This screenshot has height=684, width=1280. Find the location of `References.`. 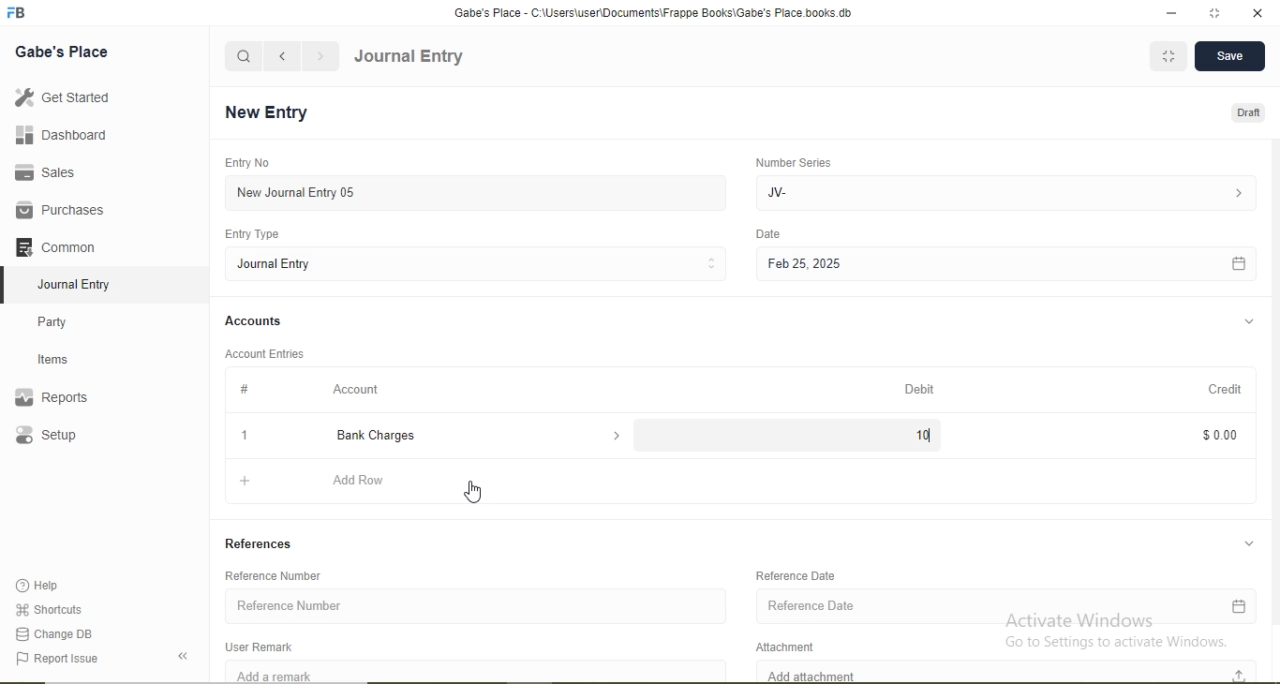

References. is located at coordinates (259, 543).